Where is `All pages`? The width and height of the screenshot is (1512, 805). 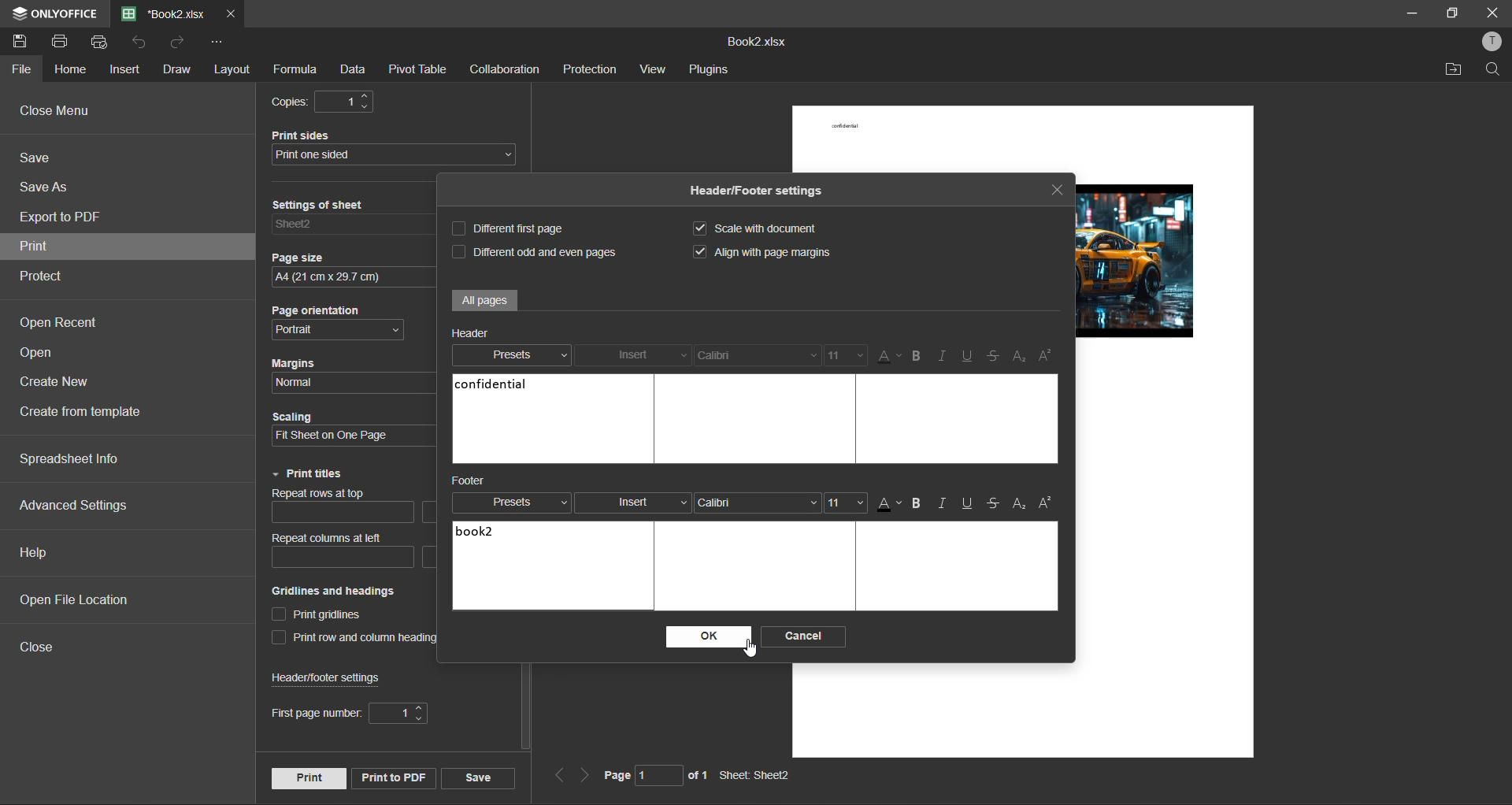 All pages is located at coordinates (484, 302).